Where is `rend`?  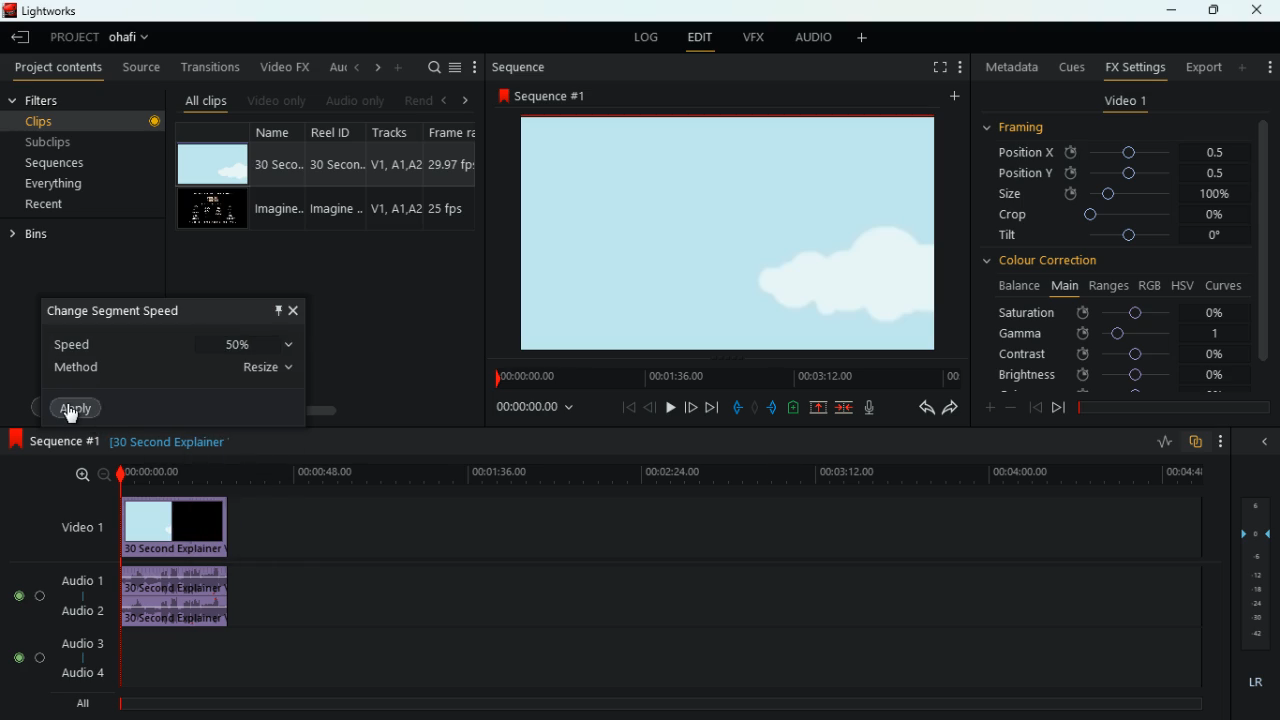
rend is located at coordinates (412, 98).